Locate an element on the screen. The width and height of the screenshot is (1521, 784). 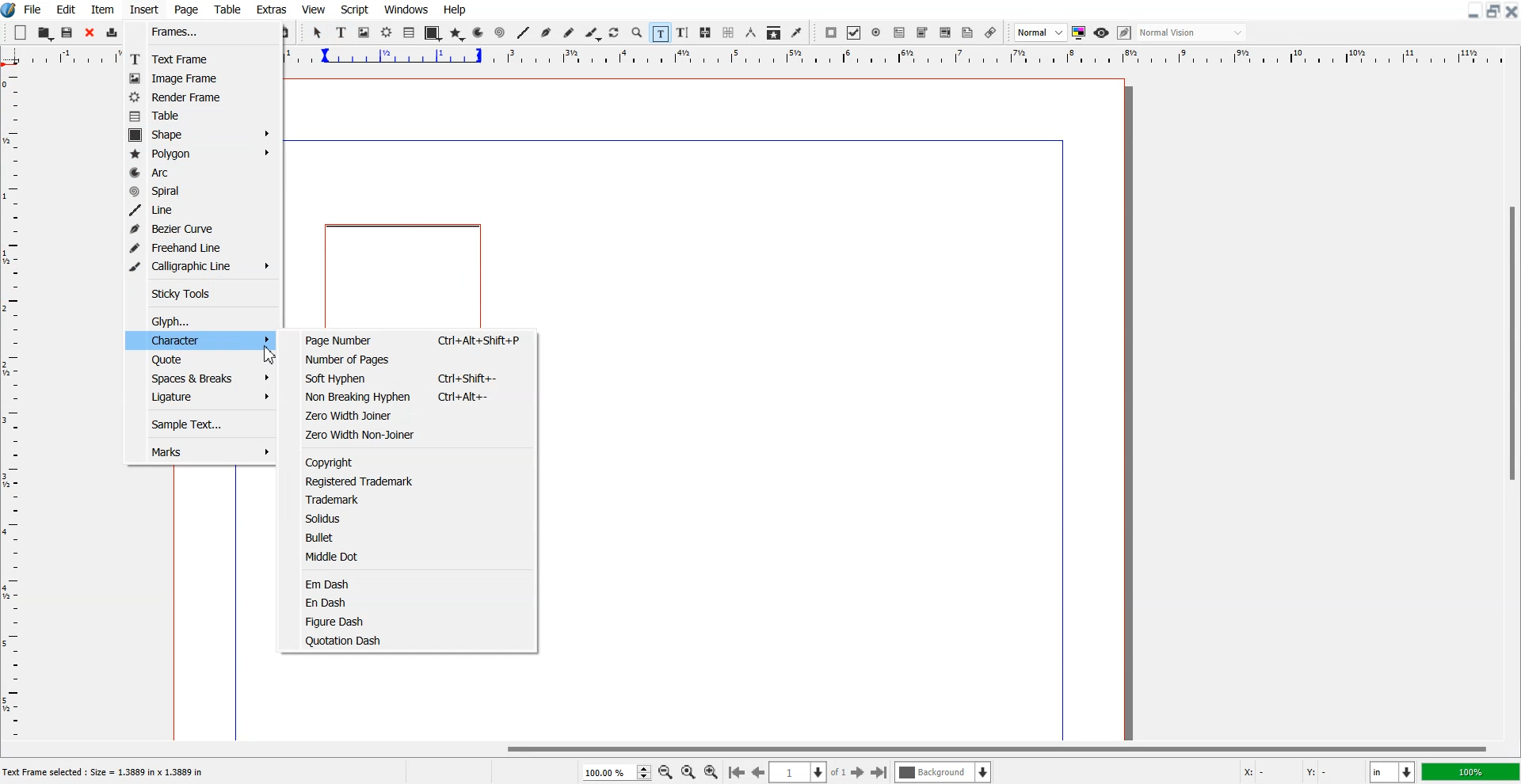
Text Annotation is located at coordinates (967, 33).